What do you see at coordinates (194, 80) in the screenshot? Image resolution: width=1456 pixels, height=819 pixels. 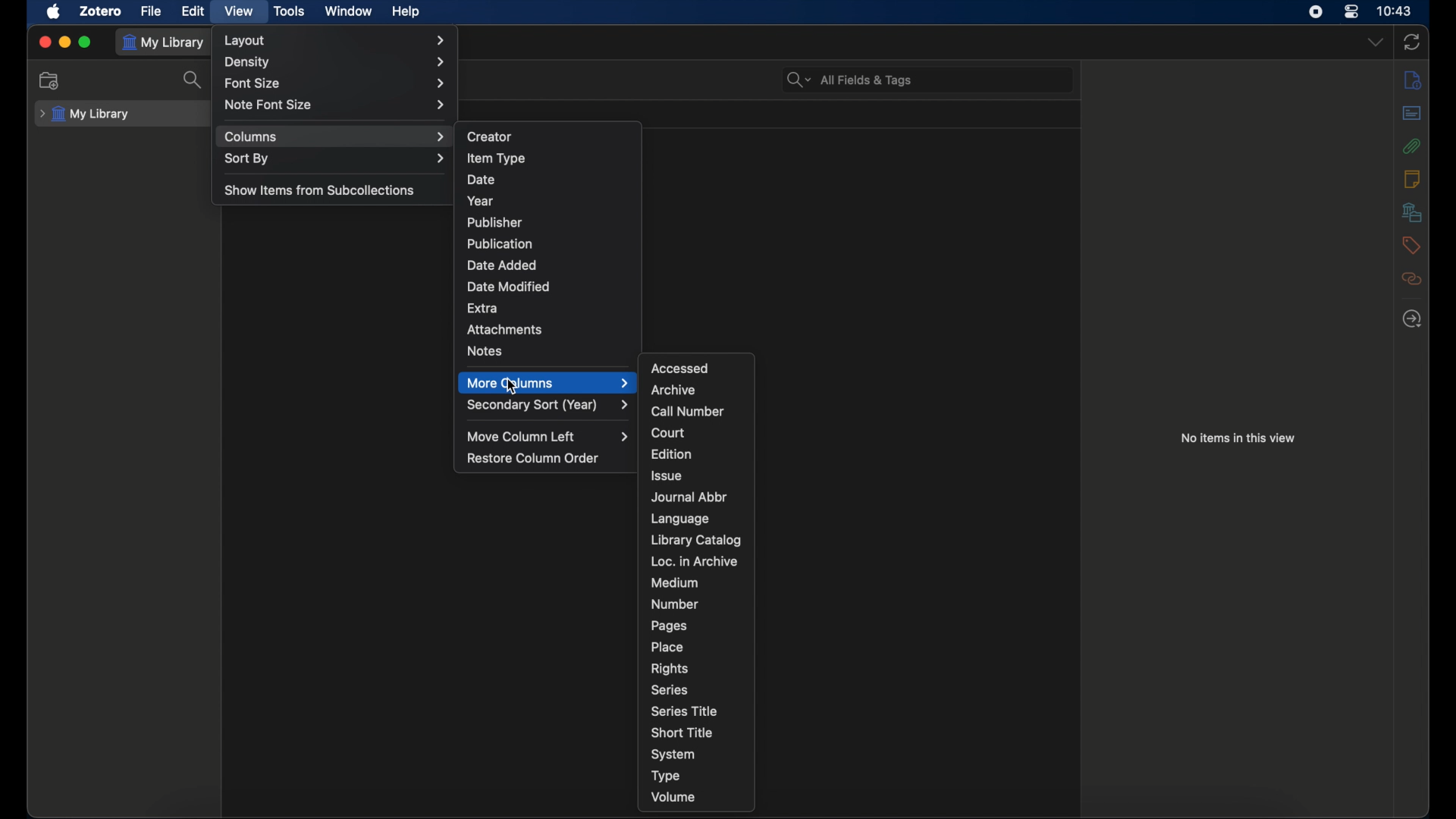 I see `search` at bounding box center [194, 80].